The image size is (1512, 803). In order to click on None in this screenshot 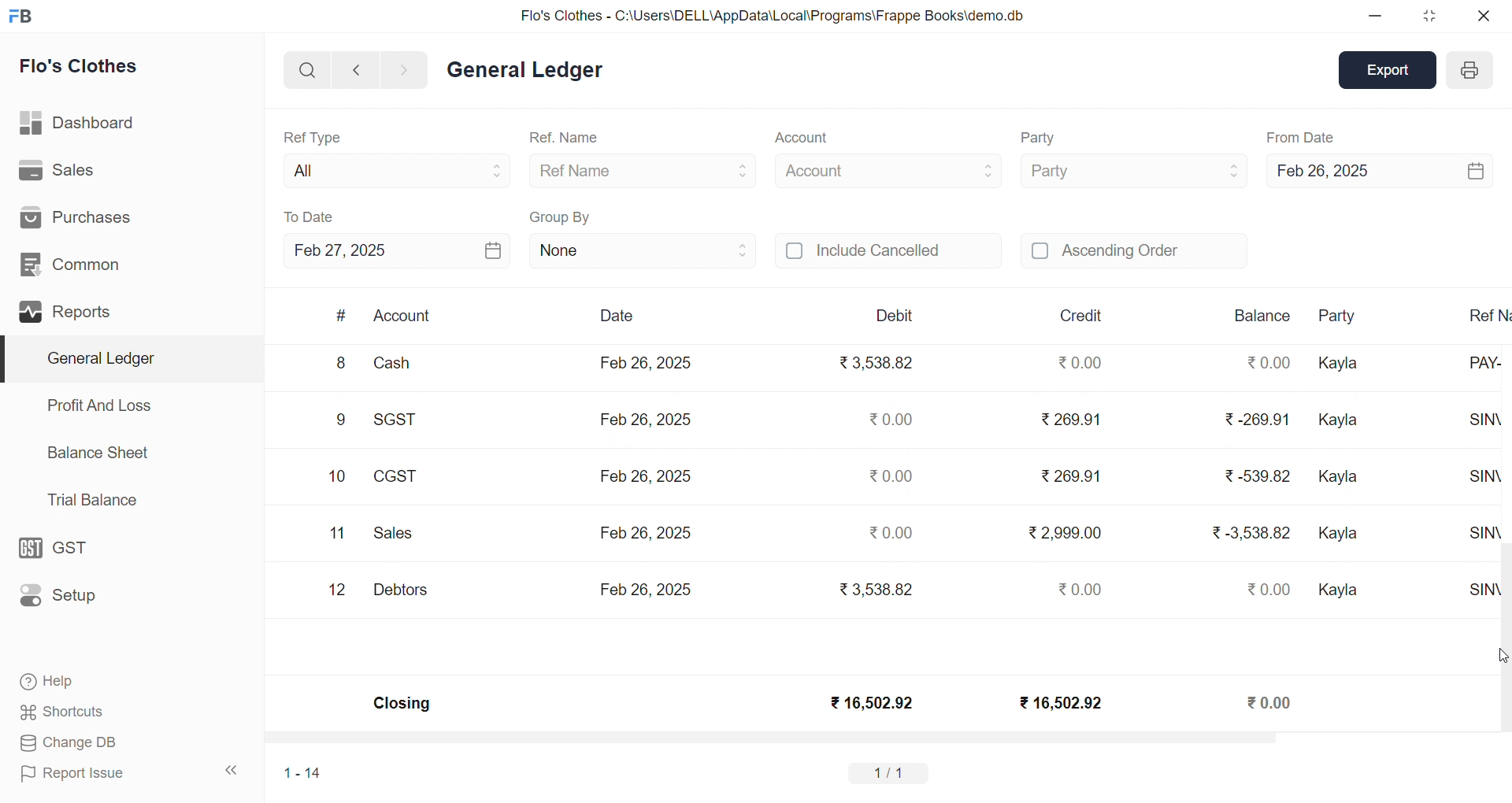, I will do `click(643, 250)`.